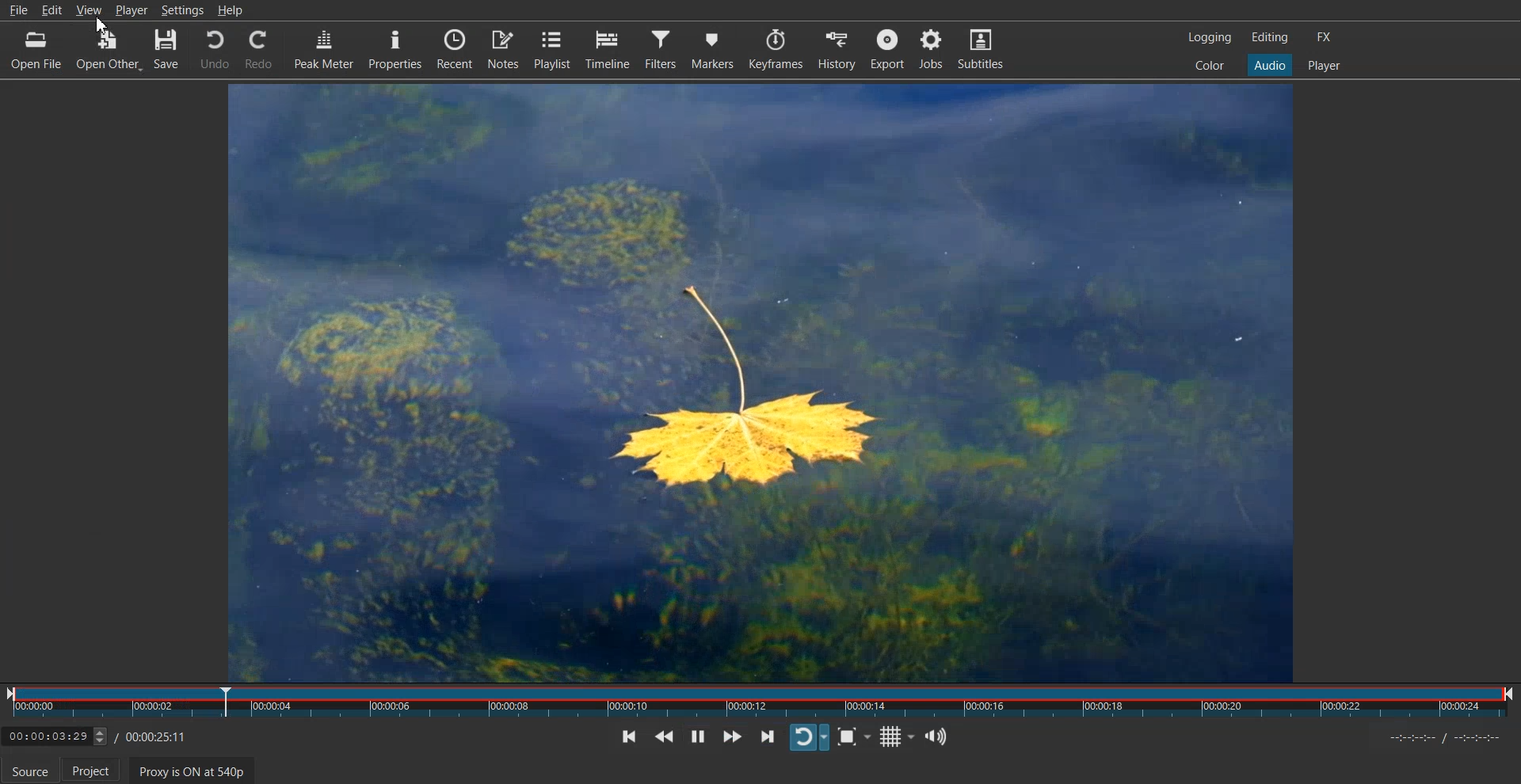  What do you see at coordinates (661, 49) in the screenshot?
I see `Filters` at bounding box center [661, 49].